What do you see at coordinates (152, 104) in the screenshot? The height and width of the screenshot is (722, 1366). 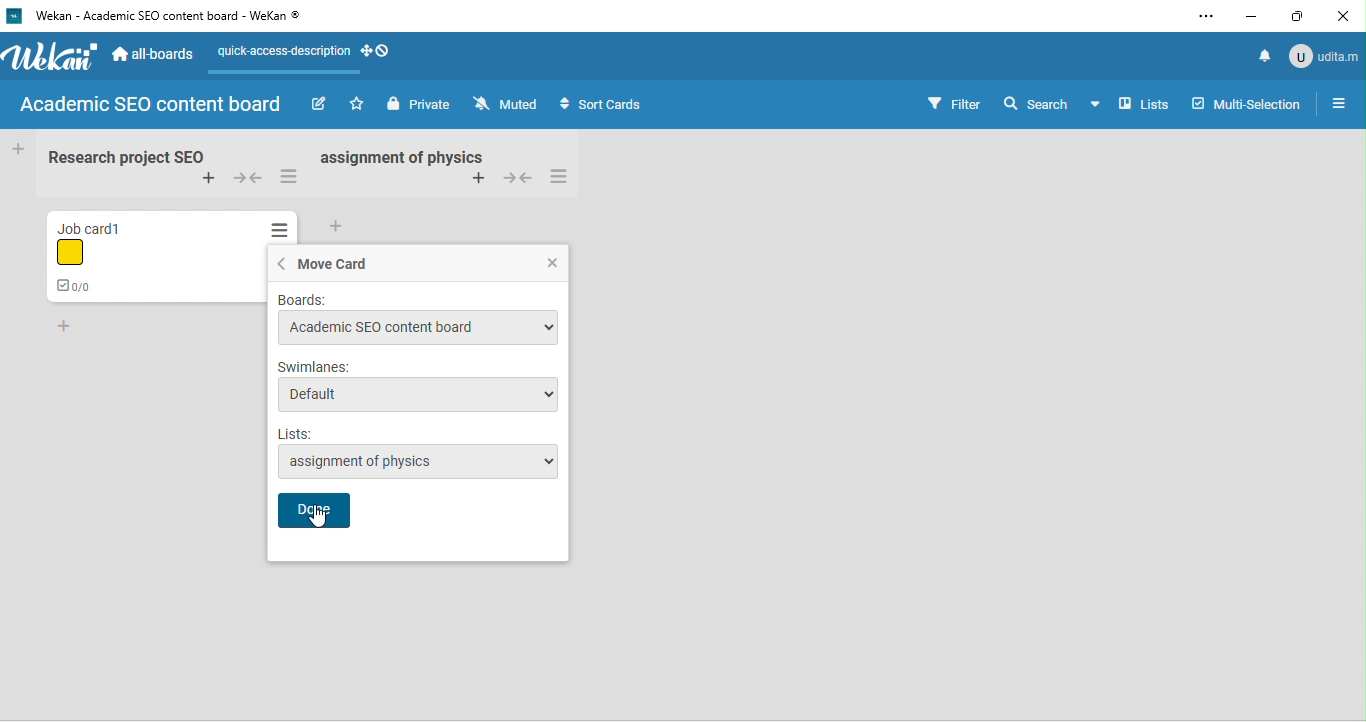 I see `Academic SEO content board` at bounding box center [152, 104].